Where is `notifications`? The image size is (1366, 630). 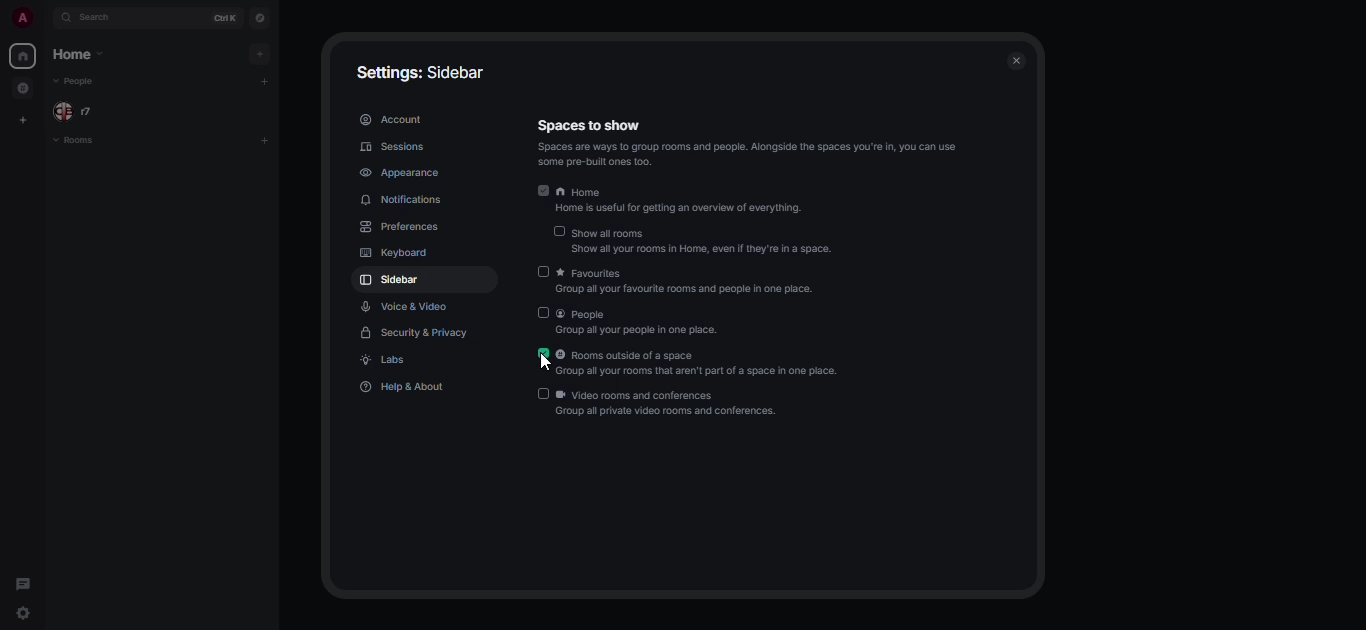 notifications is located at coordinates (405, 202).